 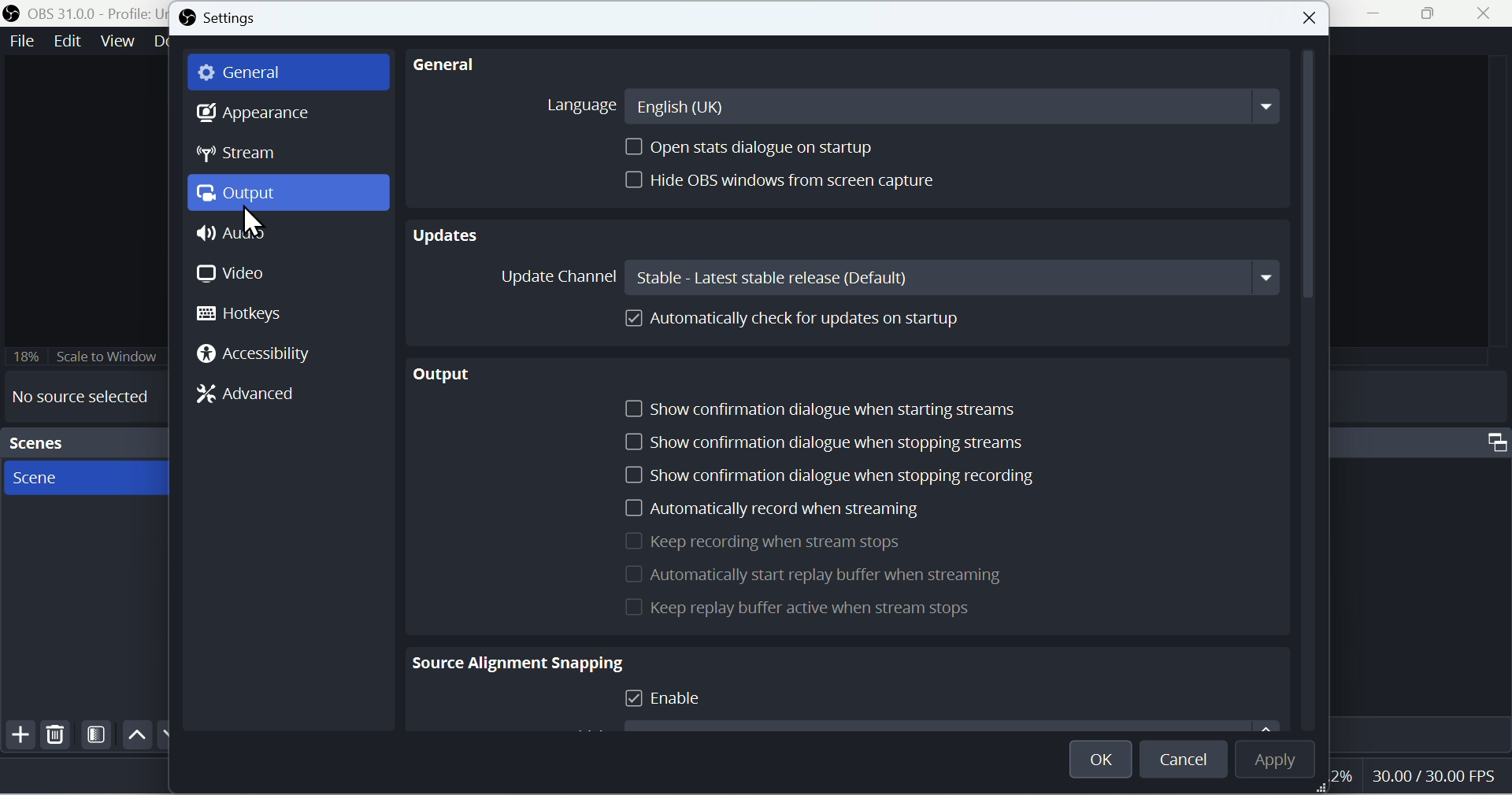 I want to click on Updates, so click(x=465, y=235).